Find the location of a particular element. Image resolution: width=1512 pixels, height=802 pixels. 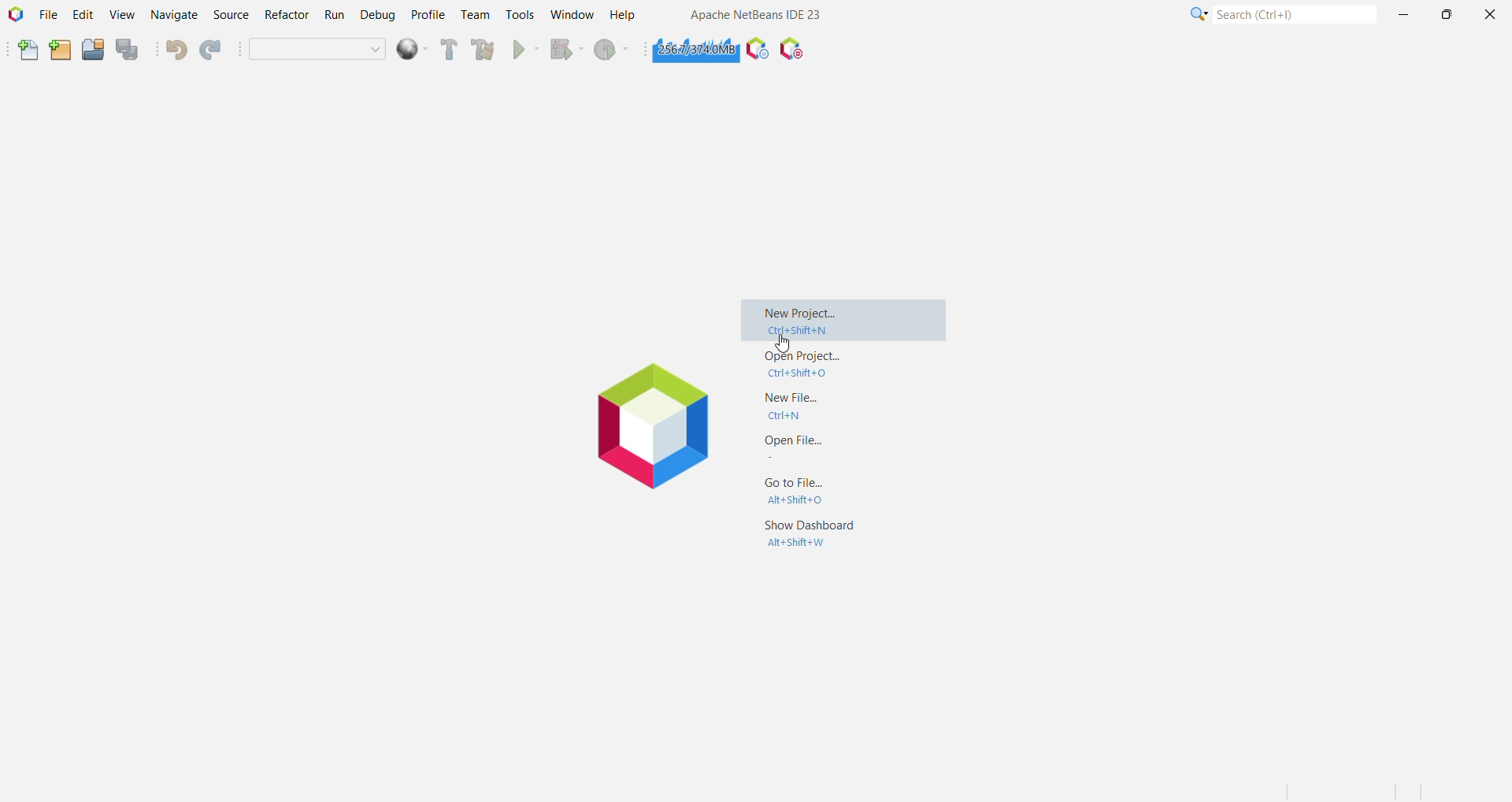

Refractor is located at coordinates (285, 15).